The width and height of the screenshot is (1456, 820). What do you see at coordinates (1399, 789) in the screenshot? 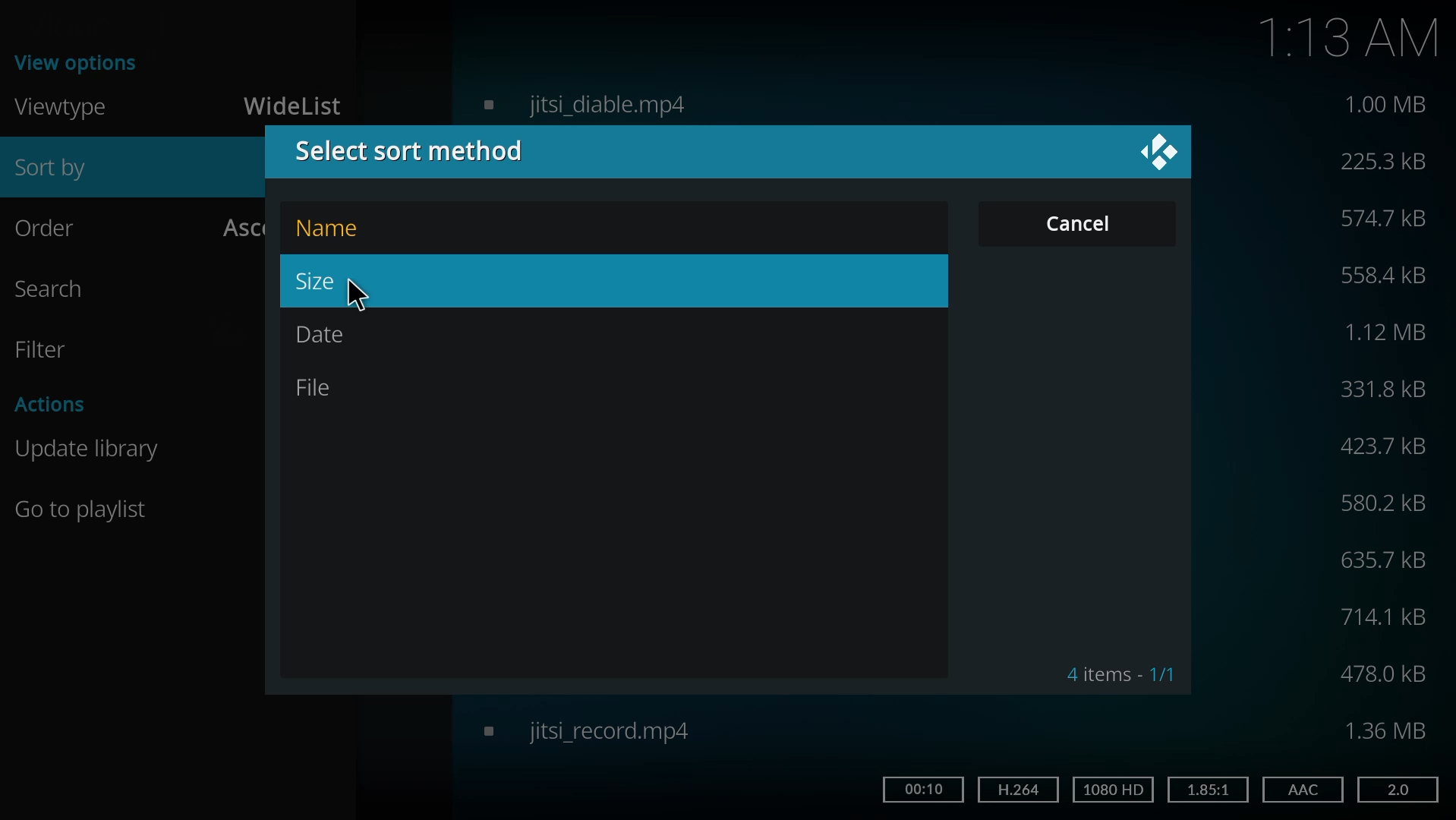
I see `2` at bounding box center [1399, 789].